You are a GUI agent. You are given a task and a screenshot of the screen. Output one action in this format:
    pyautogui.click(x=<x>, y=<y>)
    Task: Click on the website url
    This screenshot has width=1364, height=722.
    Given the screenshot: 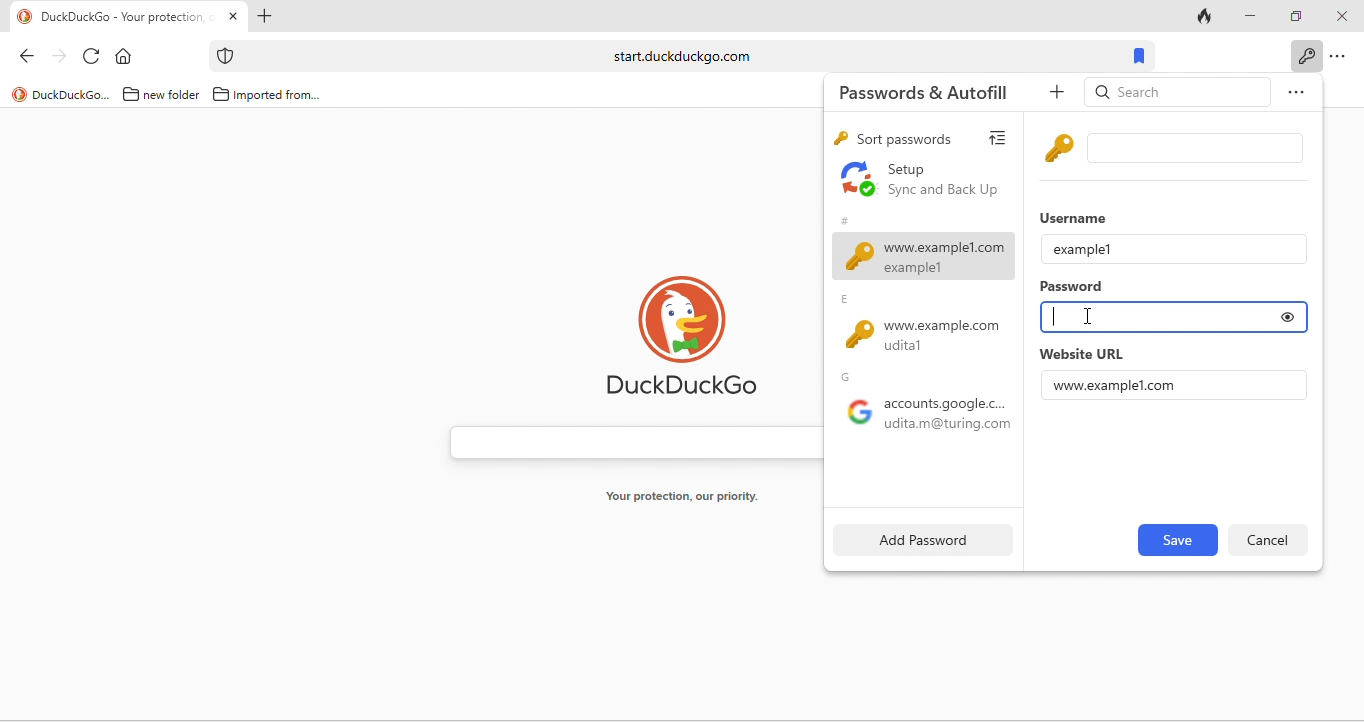 What is the action you would take?
    pyautogui.click(x=1081, y=354)
    